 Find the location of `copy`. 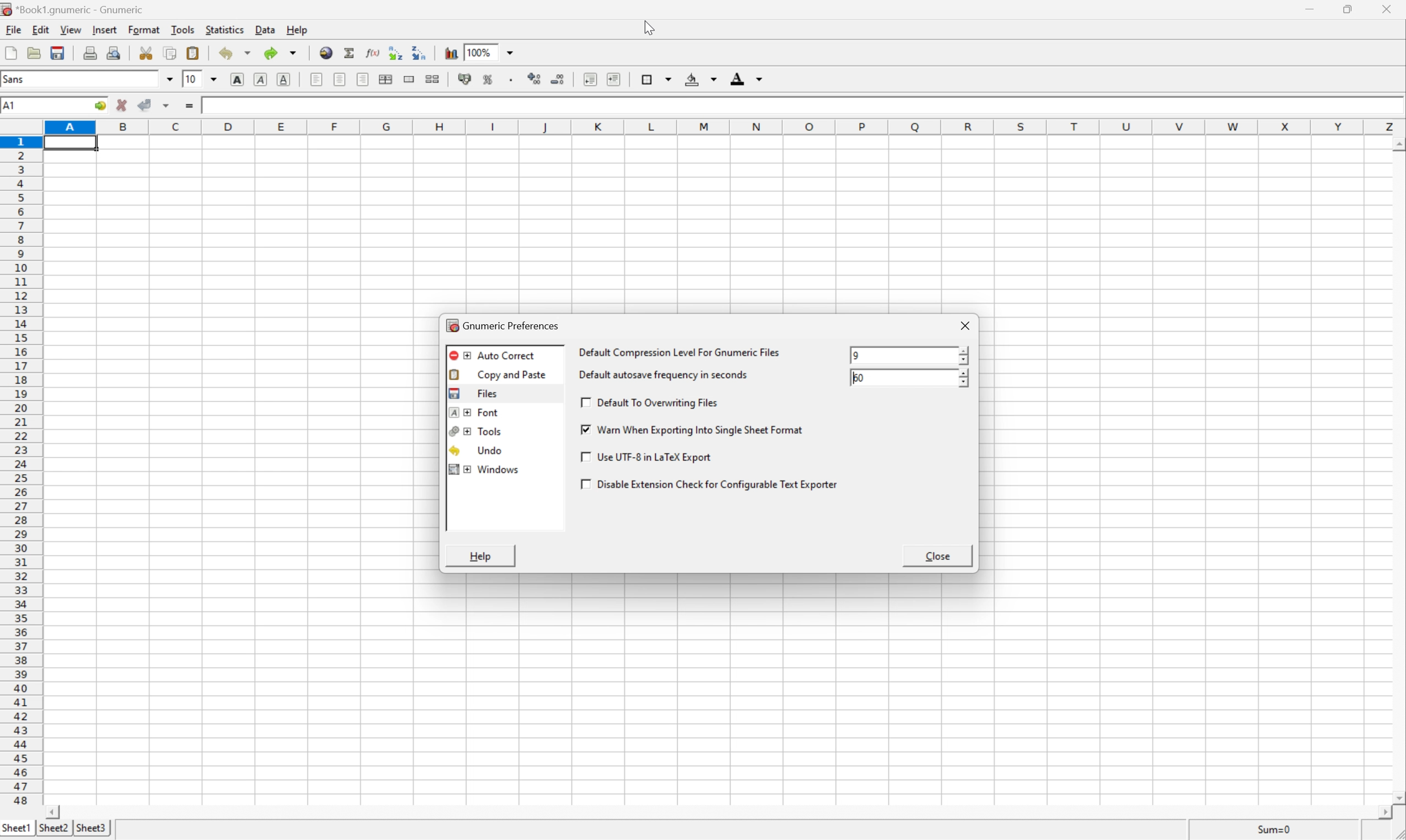

copy is located at coordinates (169, 52).